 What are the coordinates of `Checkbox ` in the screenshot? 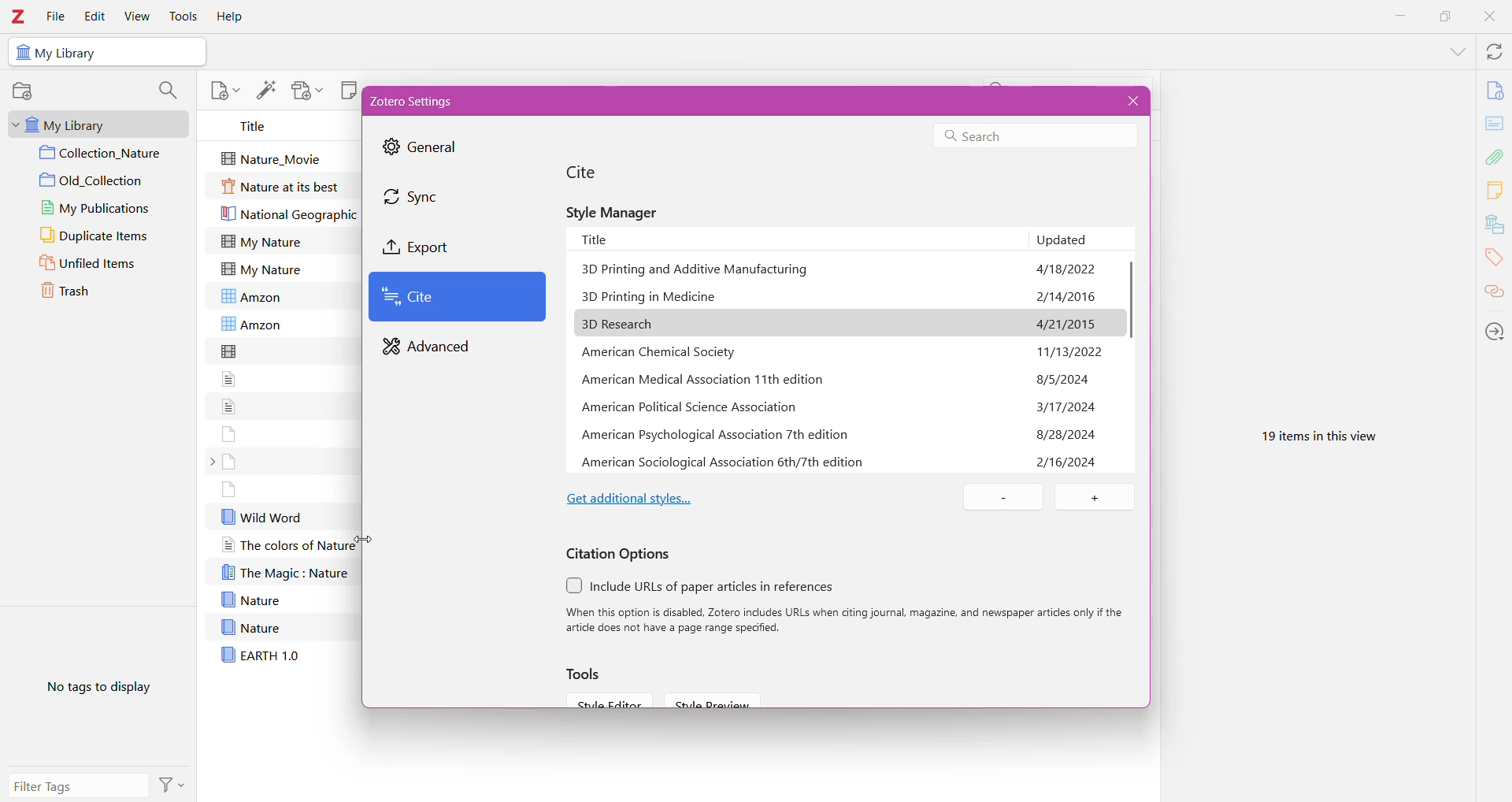 It's located at (574, 585).